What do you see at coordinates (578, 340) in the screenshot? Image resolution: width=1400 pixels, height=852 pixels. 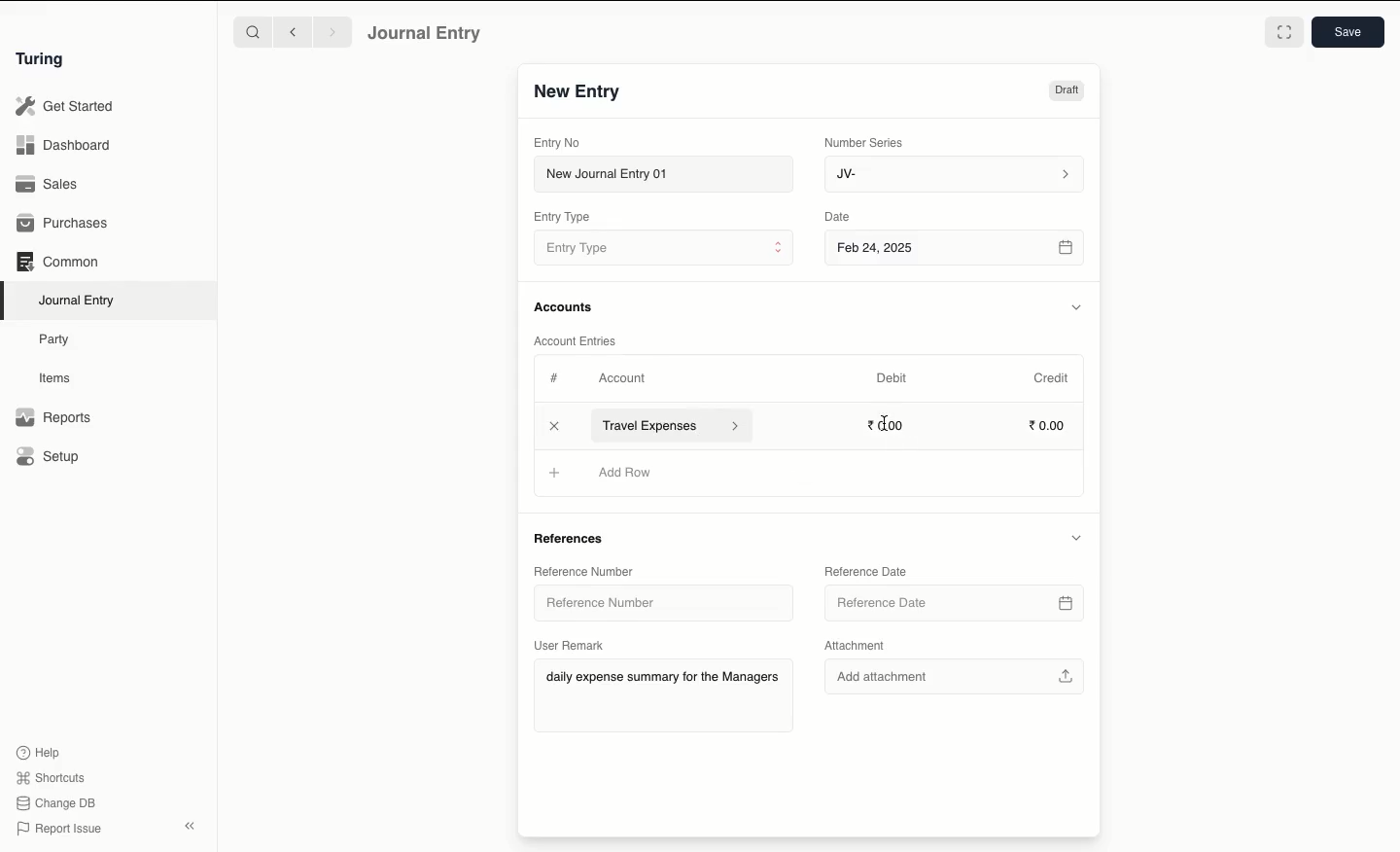 I see `Account Entries` at bounding box center [578, 340].